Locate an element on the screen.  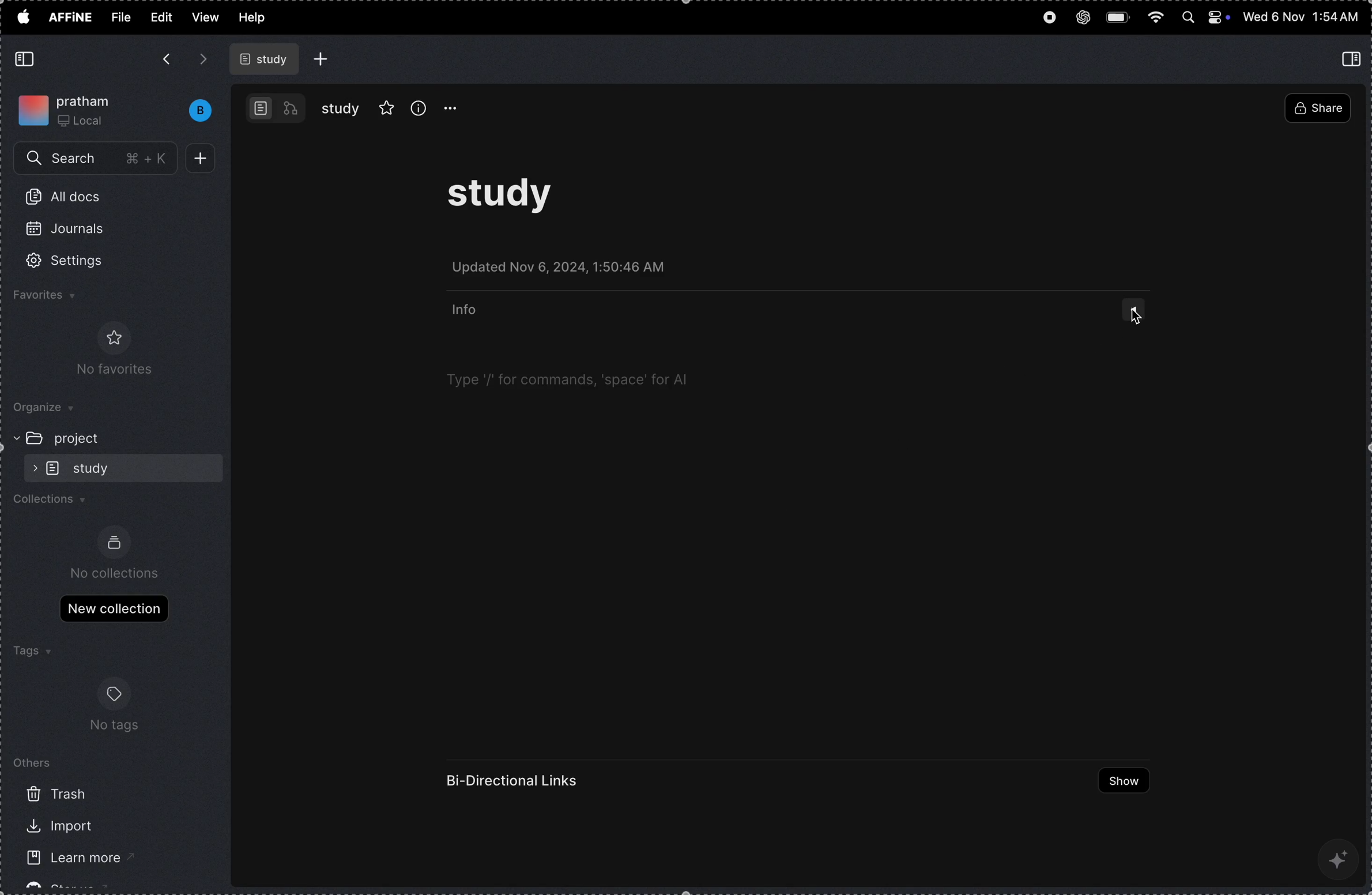
import is located at coordinates (55, 826).